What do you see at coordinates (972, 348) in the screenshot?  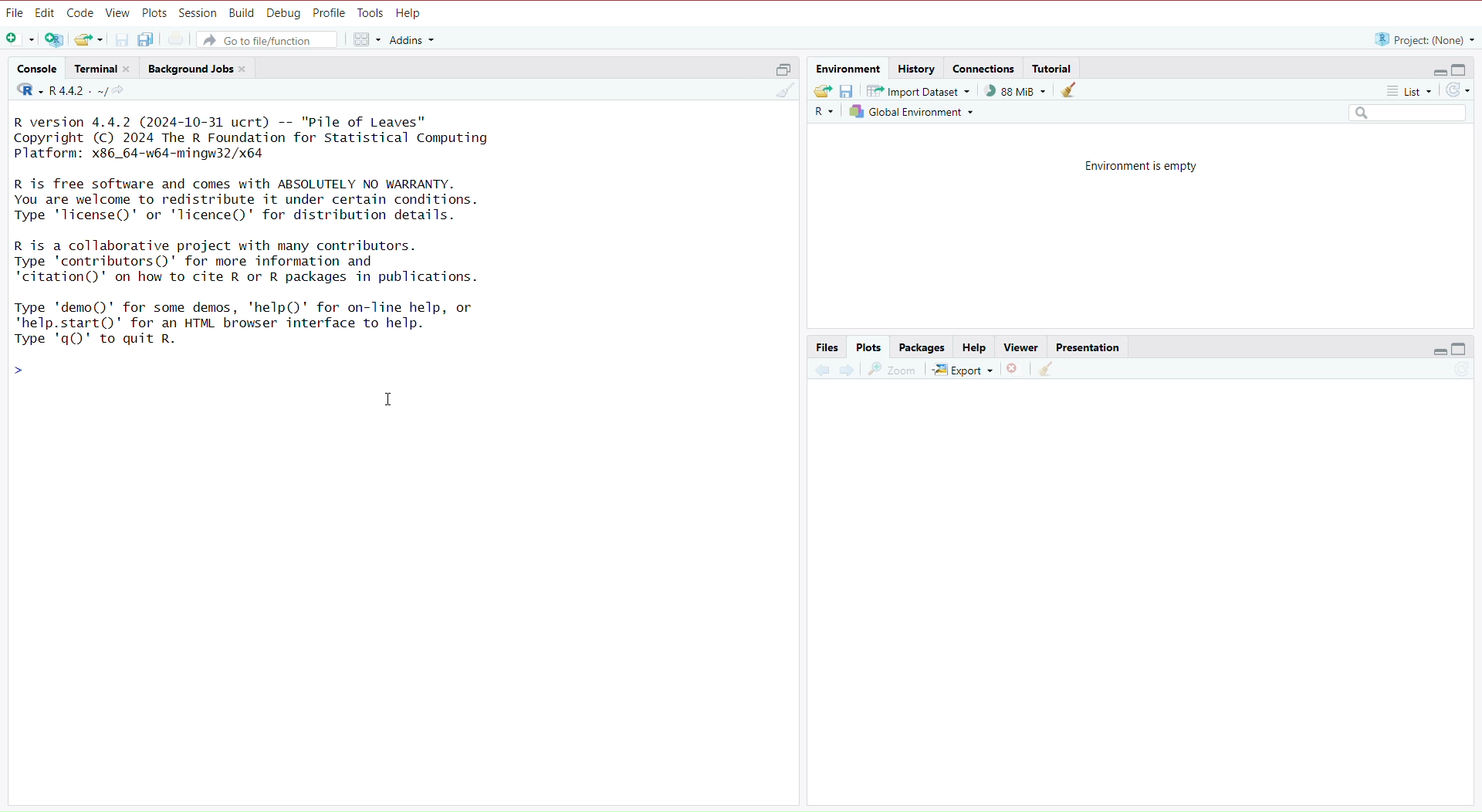 I see `help` at bounding box center [972, 348].